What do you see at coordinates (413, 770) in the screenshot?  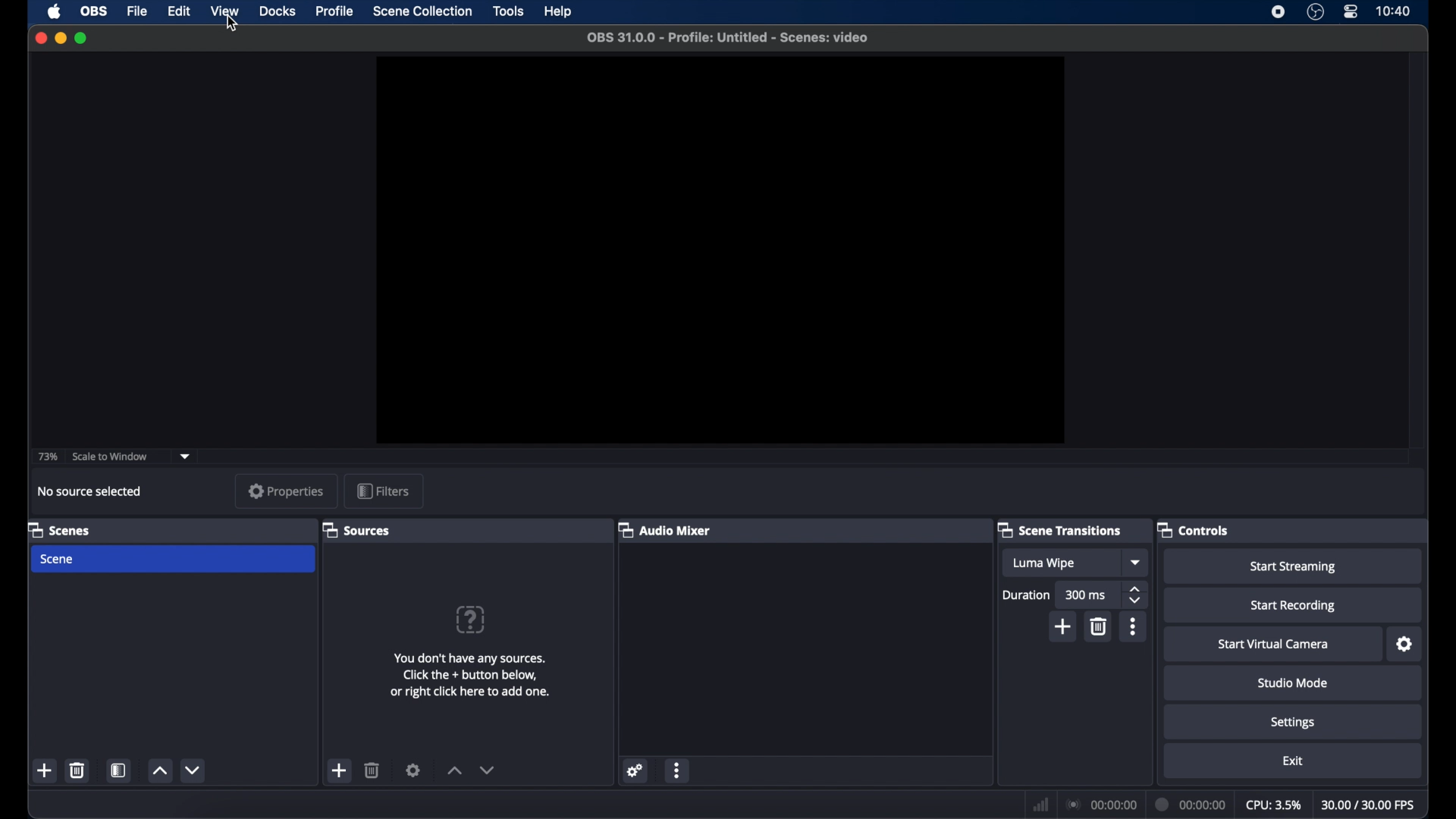 I see `settings` at bounding box center [413, 770].